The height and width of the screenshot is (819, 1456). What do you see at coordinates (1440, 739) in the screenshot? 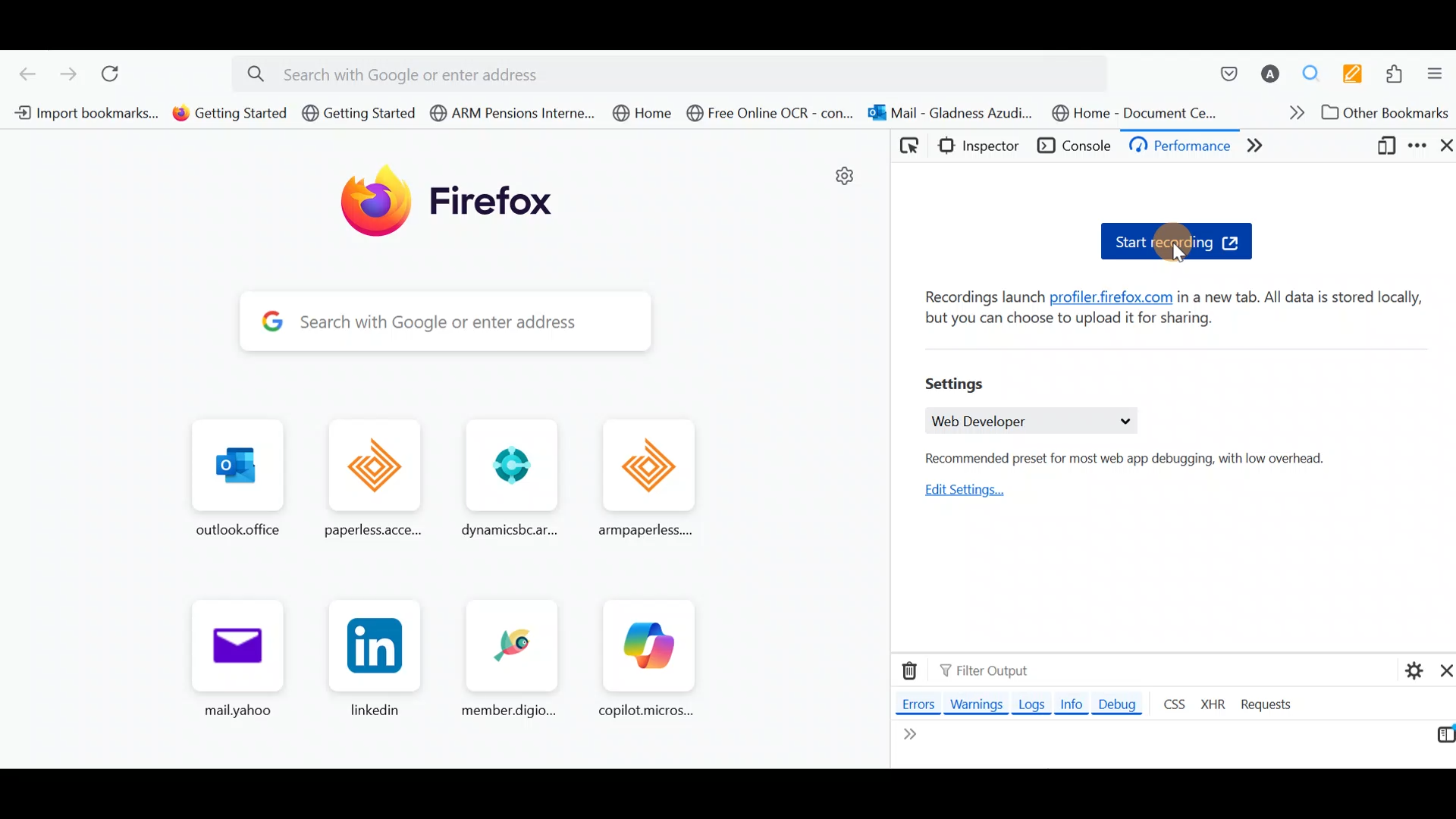
I see `Switch to multi line editor mode` at bounding box center [1440, 739].